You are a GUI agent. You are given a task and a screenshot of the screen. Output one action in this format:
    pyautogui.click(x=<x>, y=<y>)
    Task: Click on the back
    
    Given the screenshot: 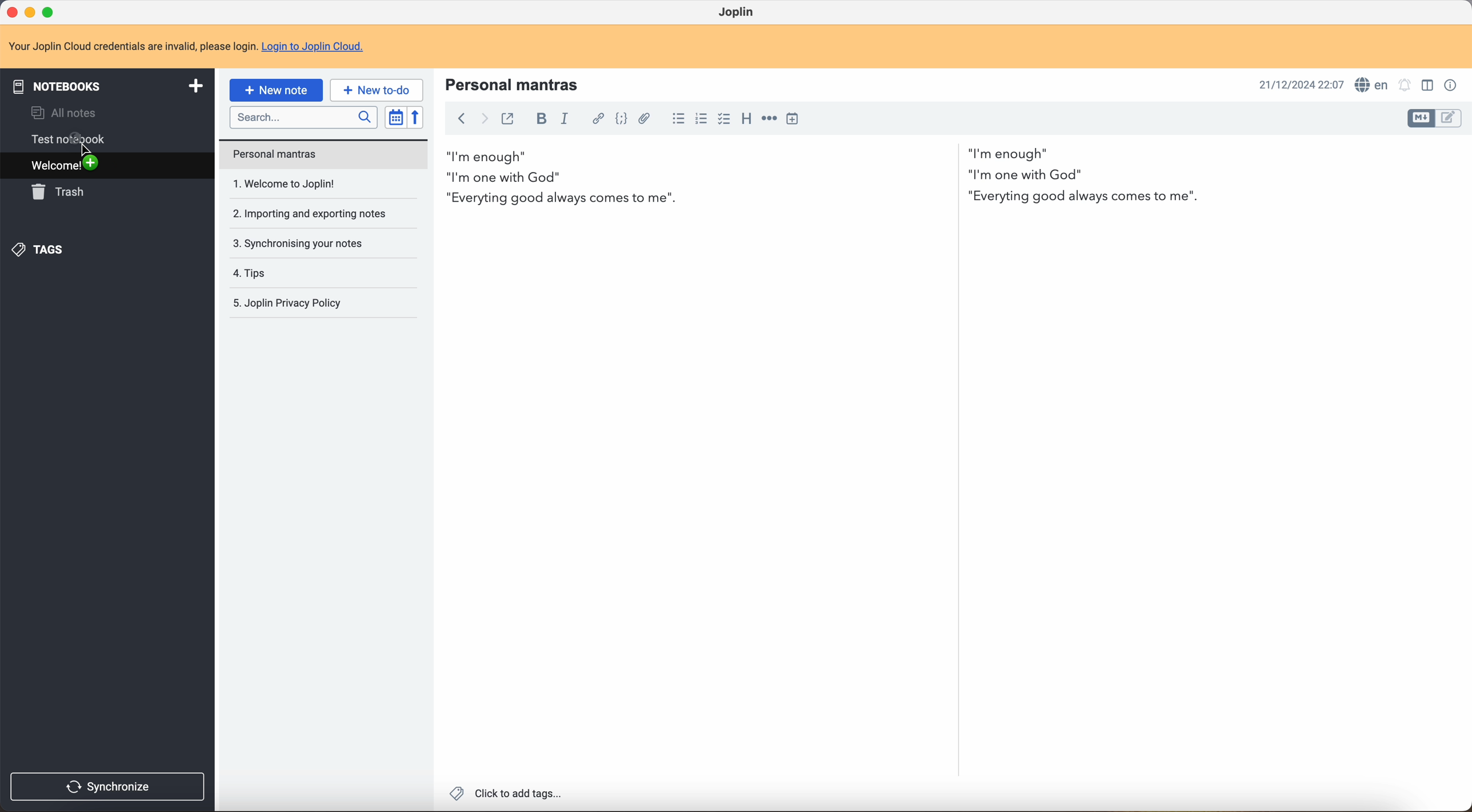 What is the action you would take?
    pyautogui.click(x=461, y=119)
    